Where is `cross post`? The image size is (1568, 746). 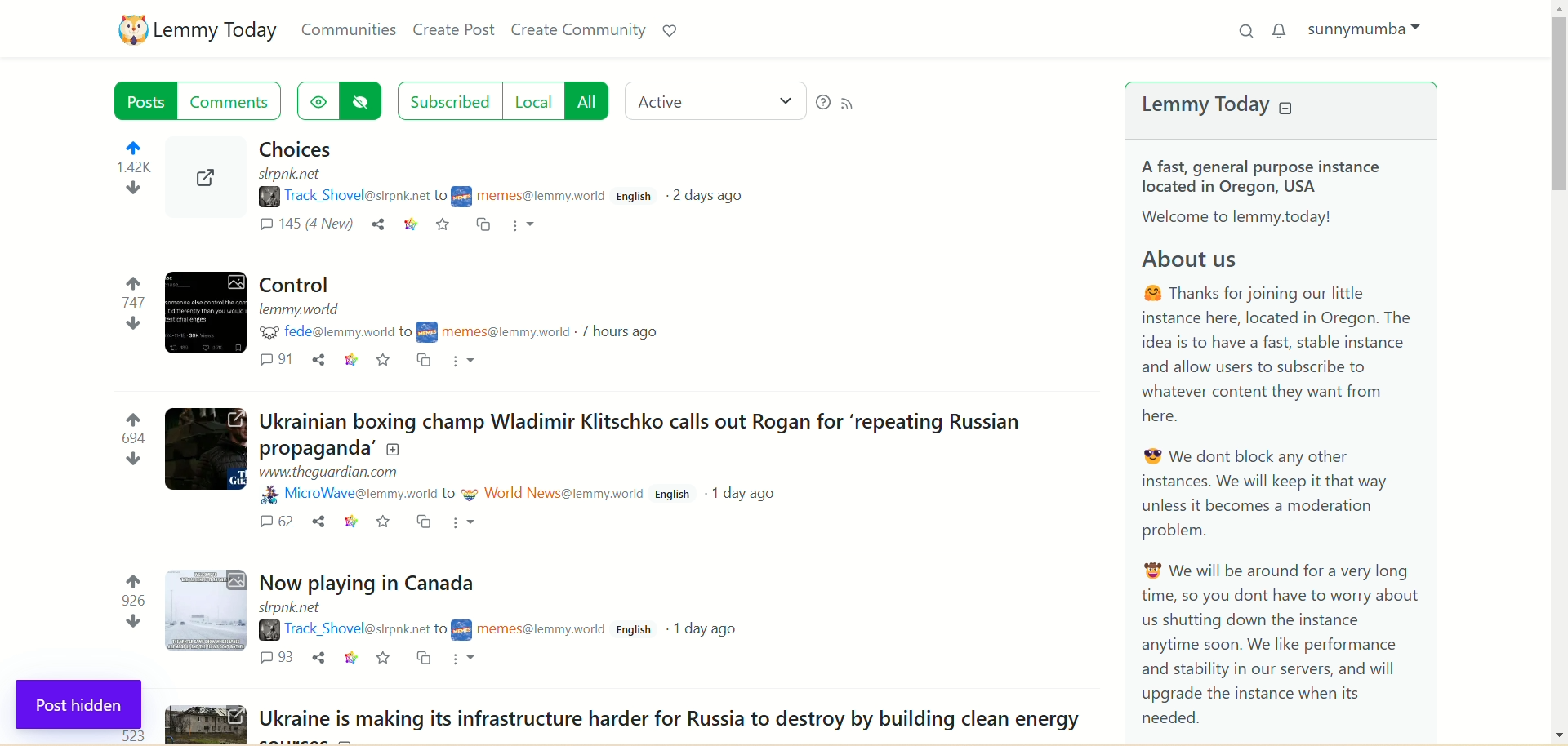 cross post is located at coordinates (423, 521).